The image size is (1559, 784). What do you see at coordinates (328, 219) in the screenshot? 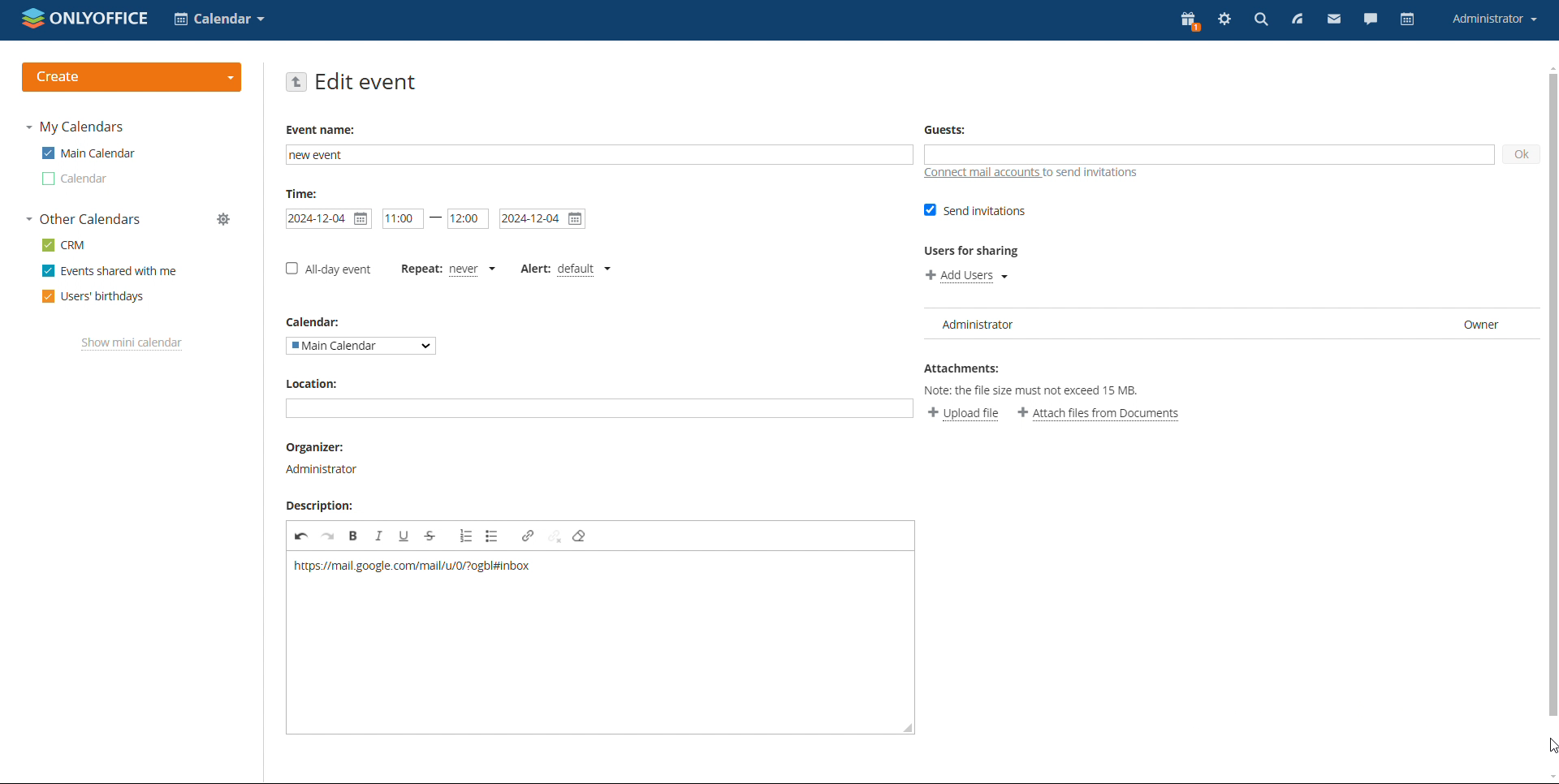
I see `start date` at bounding box center [328, 219].